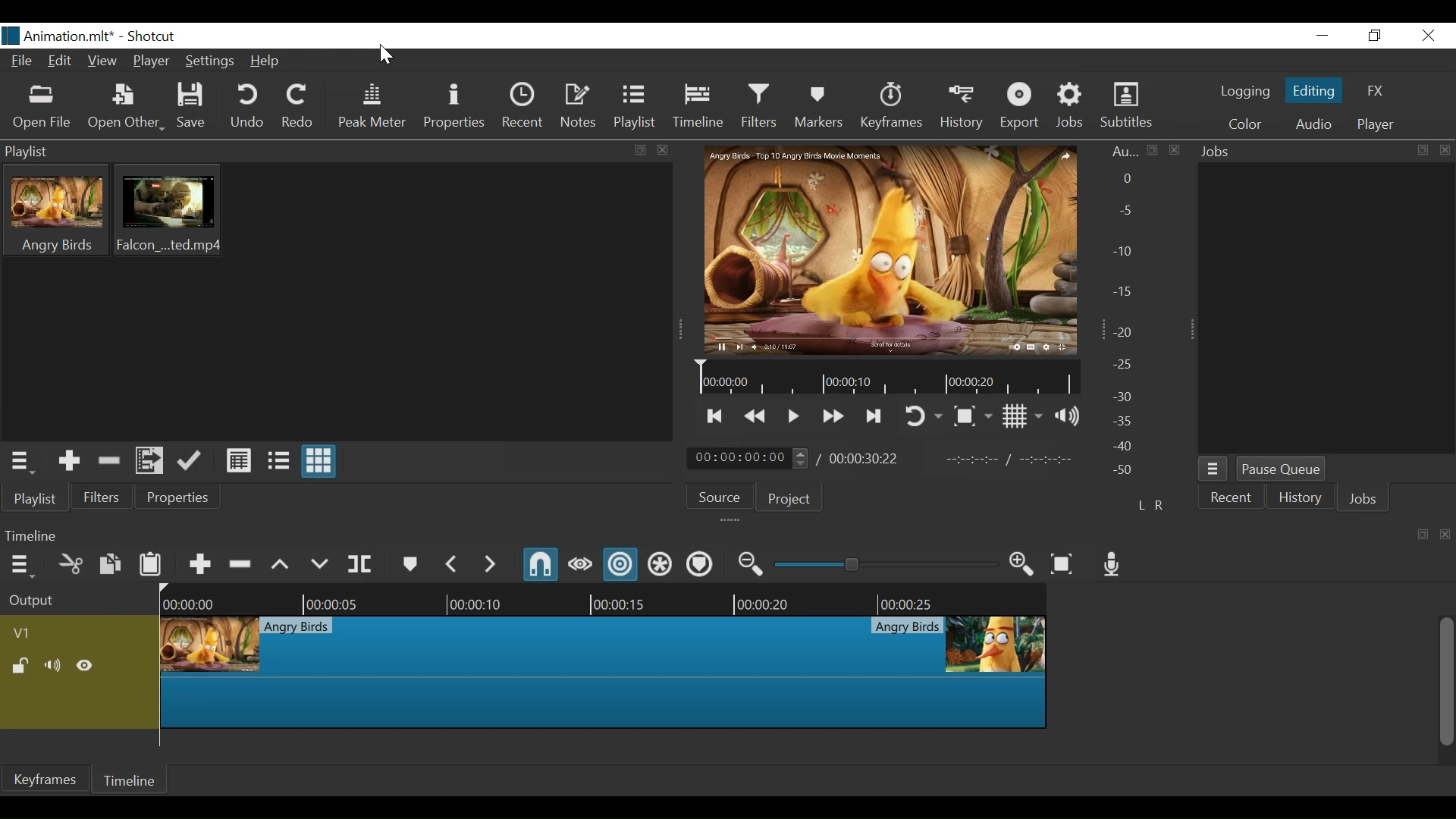 The image size is (1456, 819). I want to click on Settings, so click(209, 60).